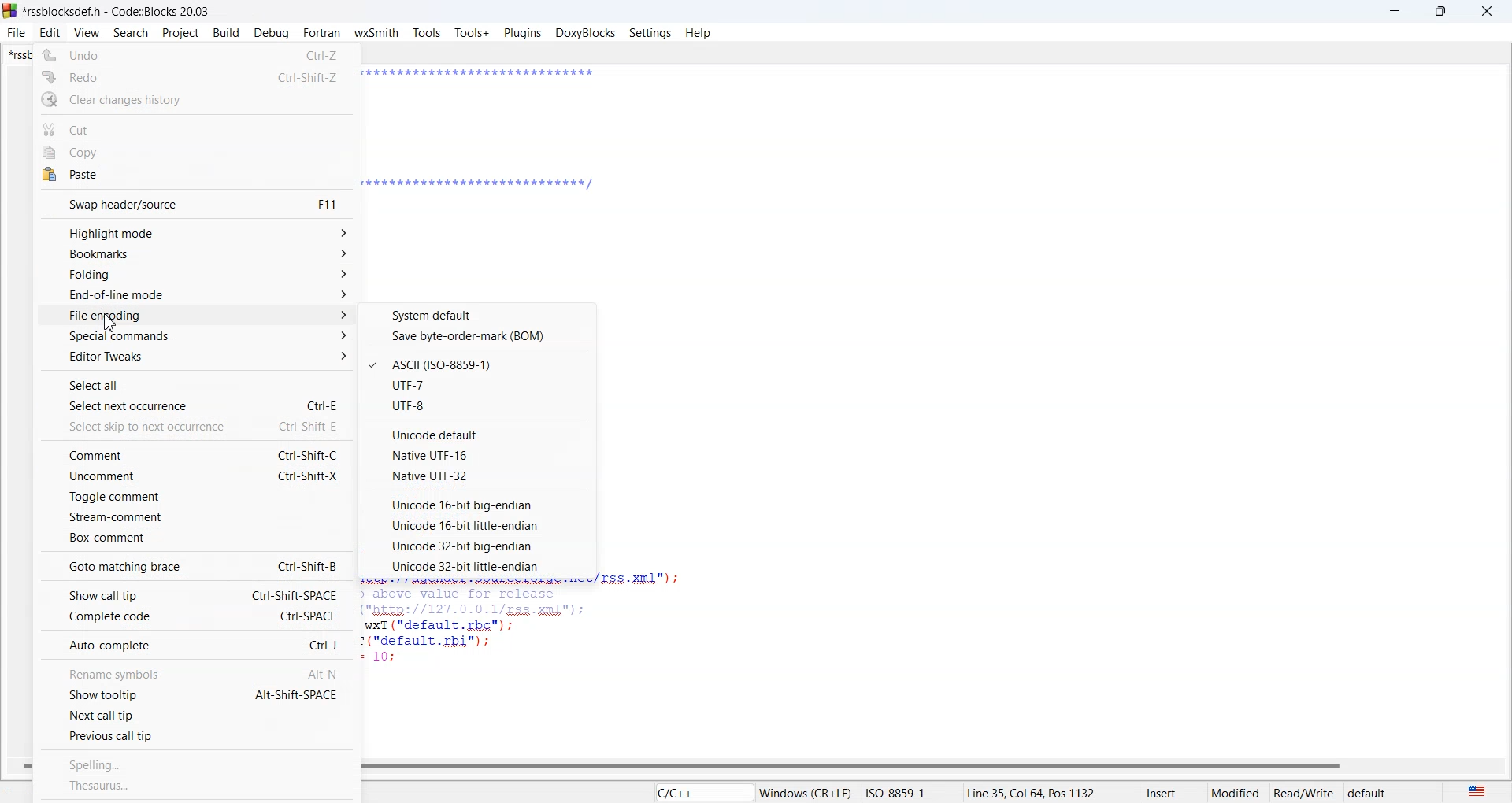 The image size is (1512, 803). Describe the element at coordinates (699, 32) in the screenshot. I see `Help` at that location.